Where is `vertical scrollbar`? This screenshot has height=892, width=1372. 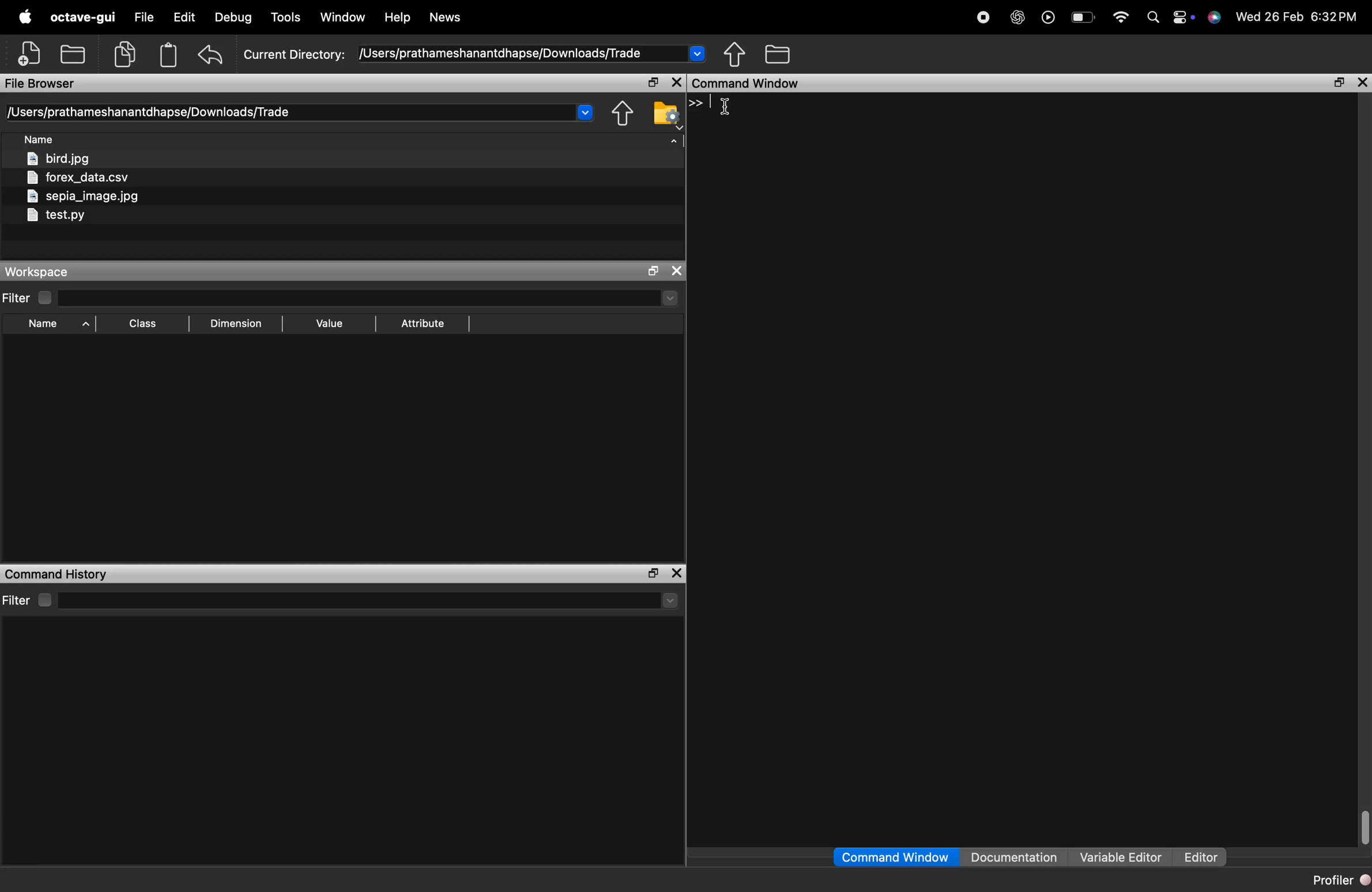 vertical scrollbar is located at coordinates (1362, 825).